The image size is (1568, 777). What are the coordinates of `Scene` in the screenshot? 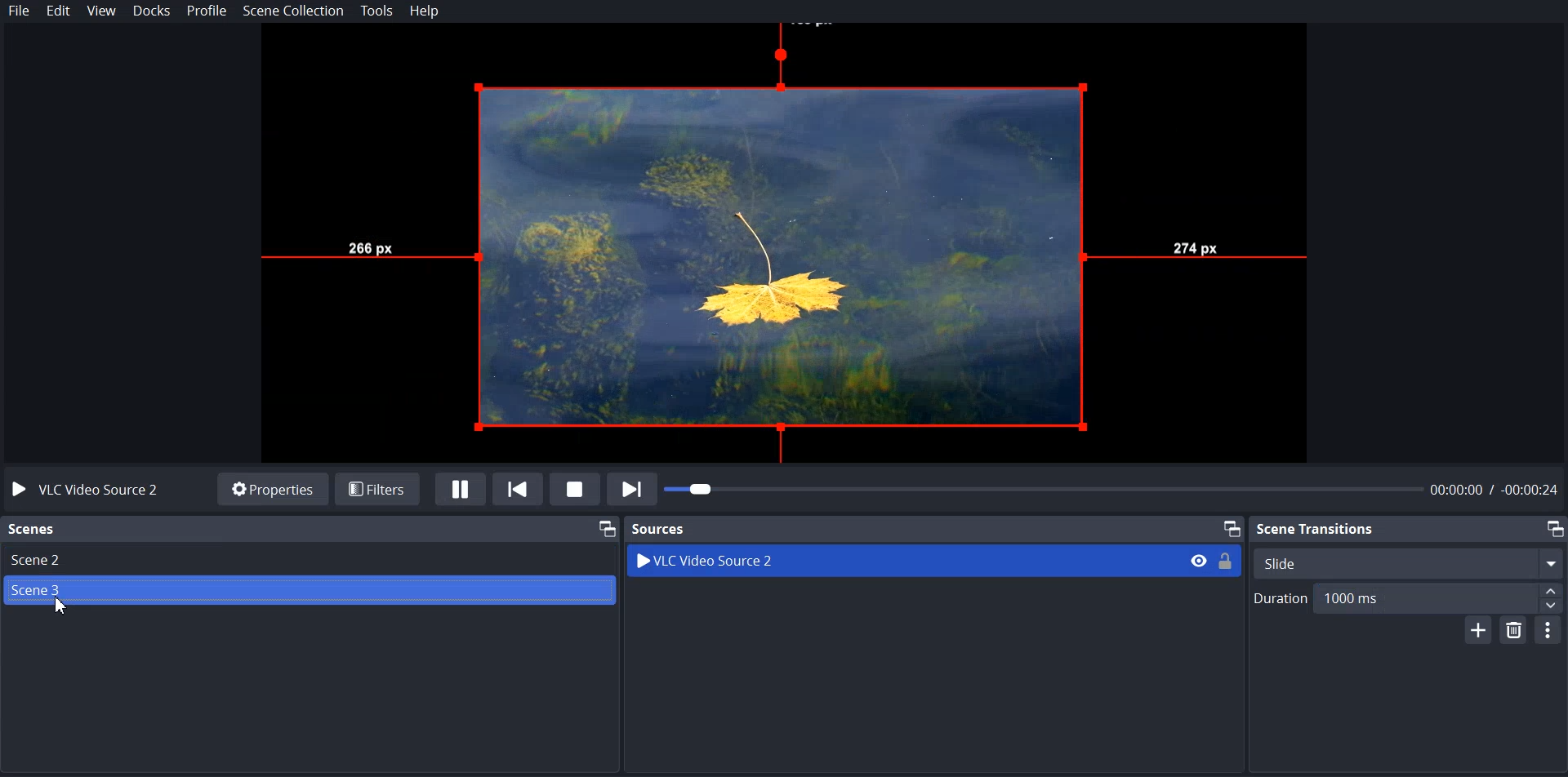 It's located at (305, 591).